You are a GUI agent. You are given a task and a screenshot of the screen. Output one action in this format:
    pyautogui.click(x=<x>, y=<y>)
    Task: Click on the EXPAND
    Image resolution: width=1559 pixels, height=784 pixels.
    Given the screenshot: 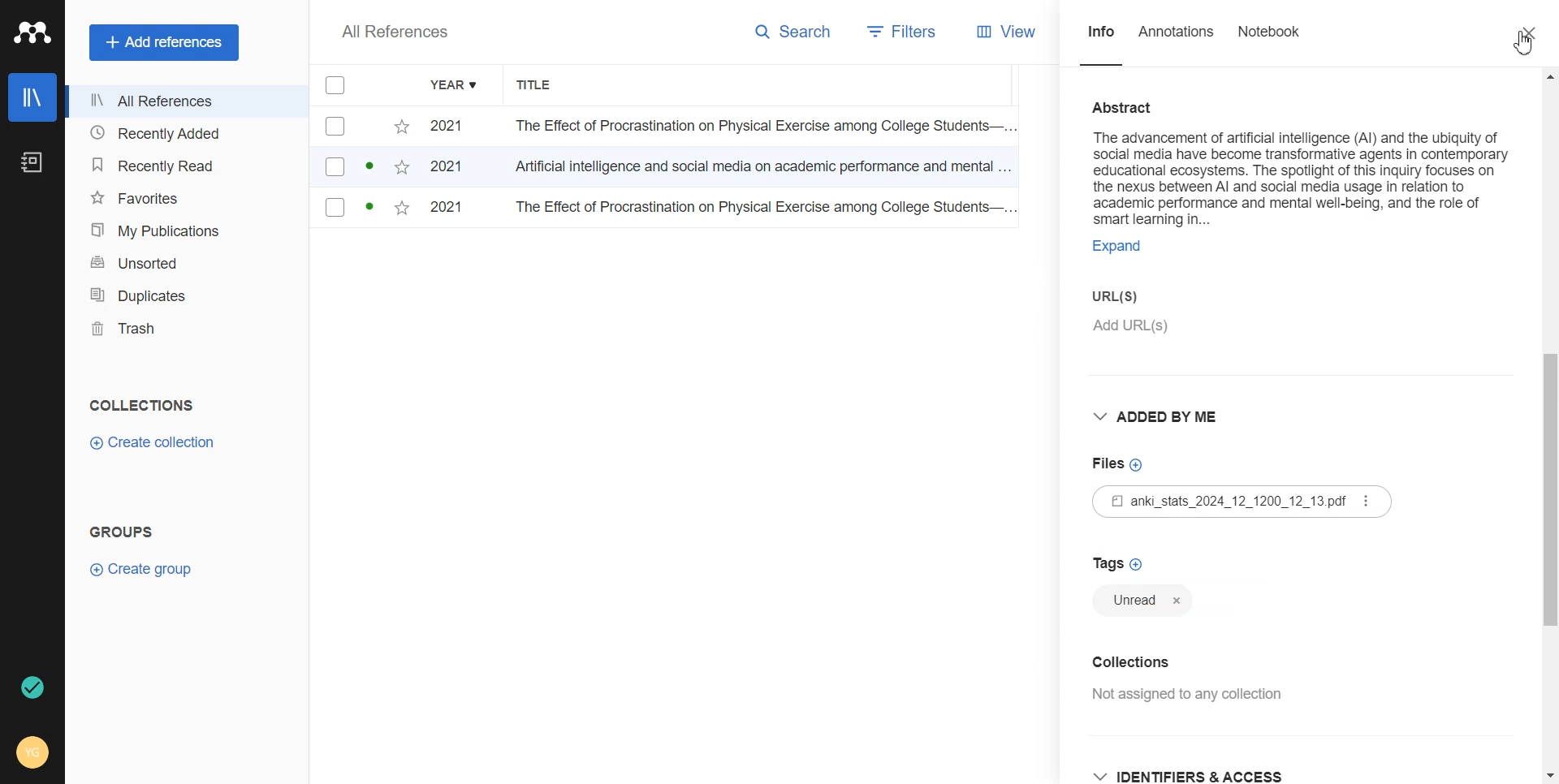 What is the action you would take?
    pyautogui.click(x=1125, y=248)
    